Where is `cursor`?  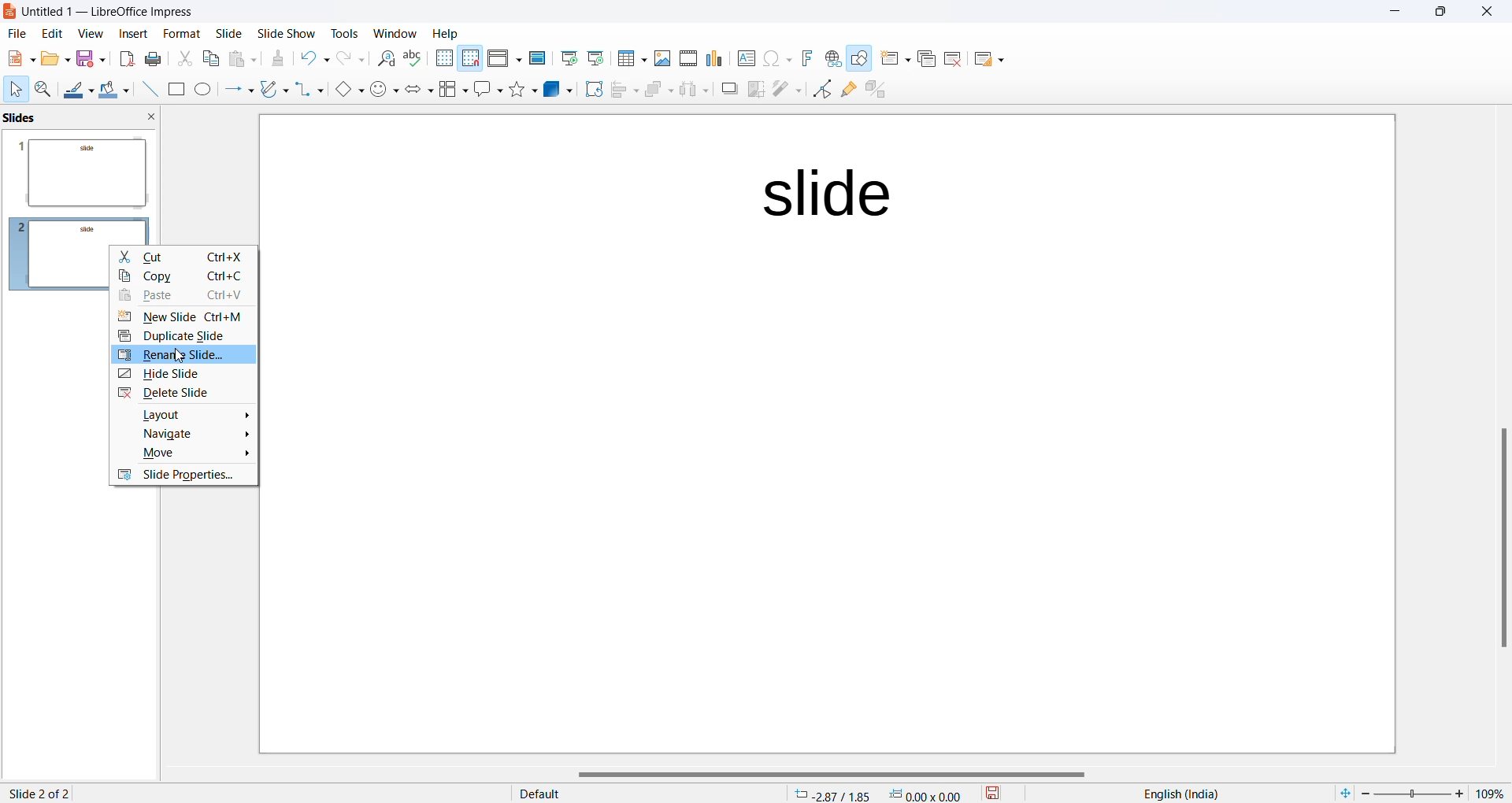 cursor is located at coordinates (179, 356).